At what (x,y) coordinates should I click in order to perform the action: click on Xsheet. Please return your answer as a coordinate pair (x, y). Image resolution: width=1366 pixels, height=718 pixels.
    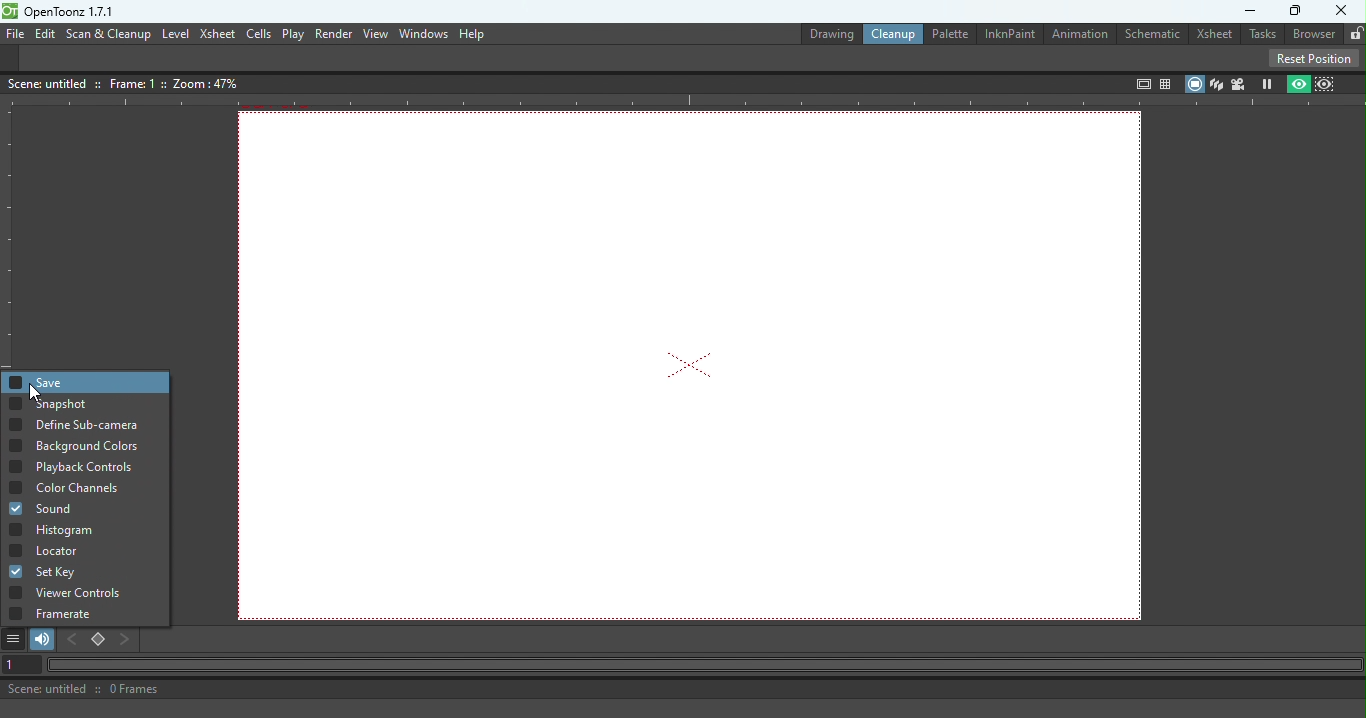
    Looking at the image, I should click on (1214, 34).